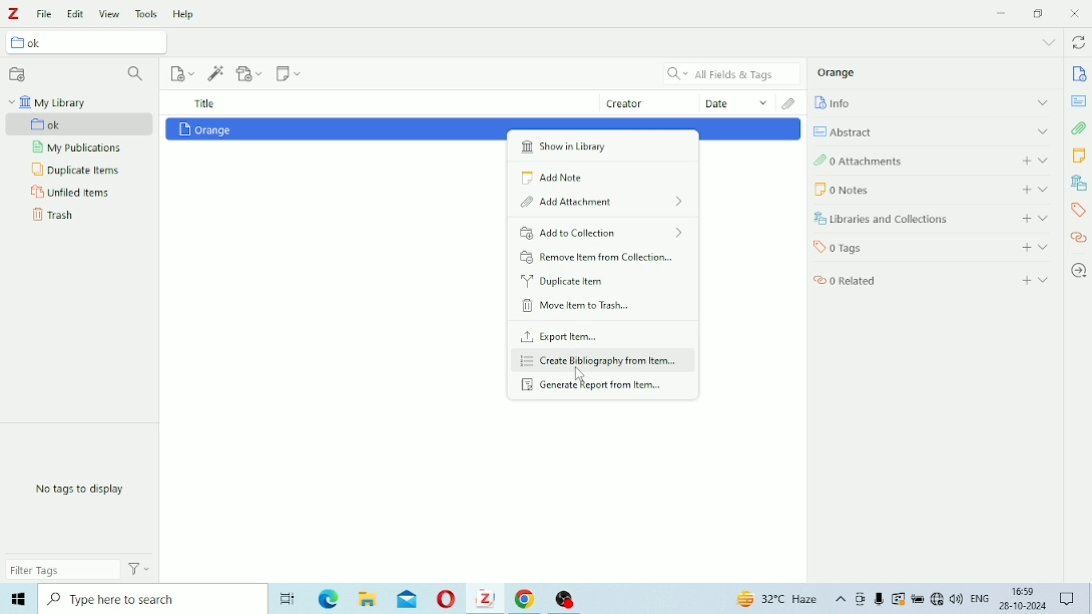  What do you see at coordinates (47, 102) in the screenshot?
I see `My Library` at bounding box center [47, 102].